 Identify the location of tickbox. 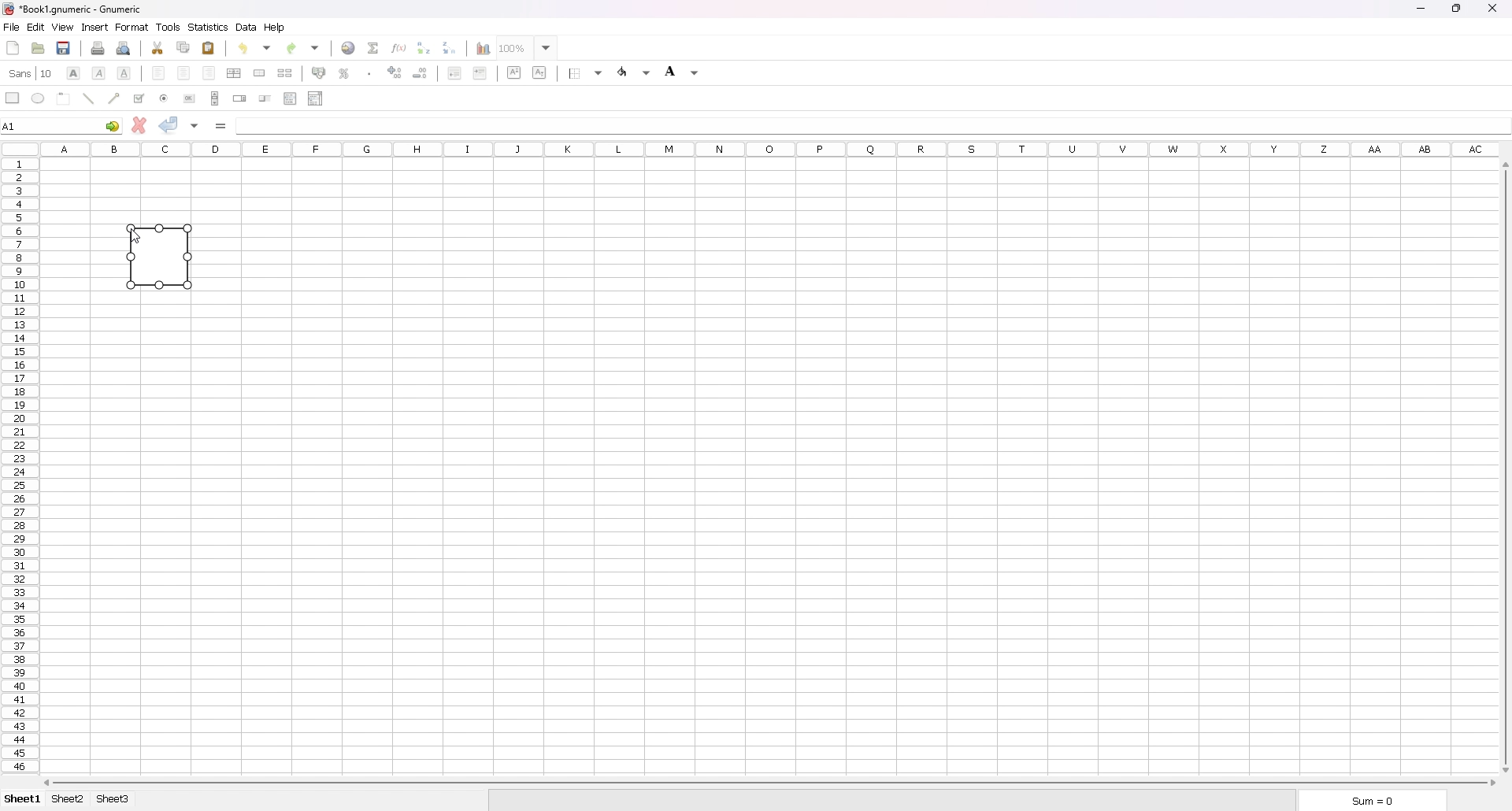
(139, 98).